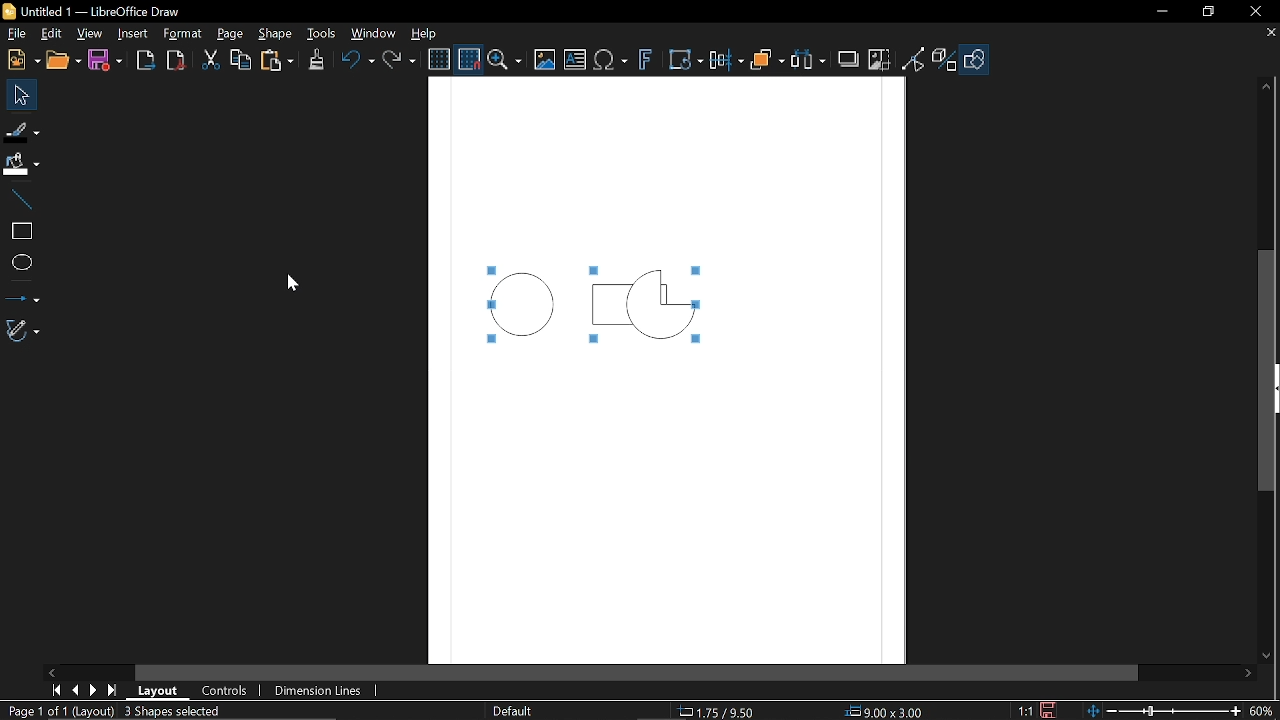  Describe the element at coordinates (1161, 11) in the screenshot. I see `Minimize` at that location.